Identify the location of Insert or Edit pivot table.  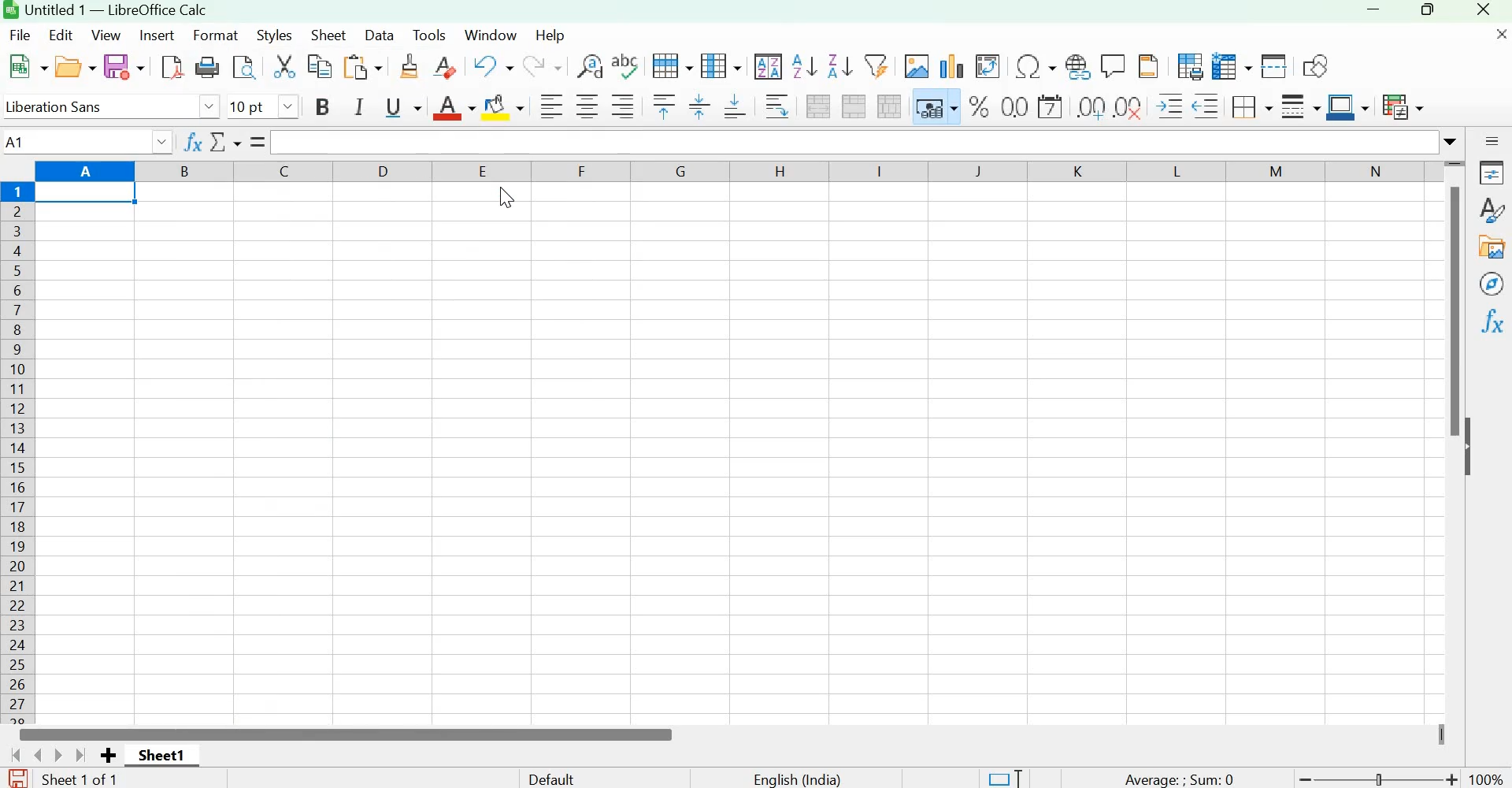
(987, 64).